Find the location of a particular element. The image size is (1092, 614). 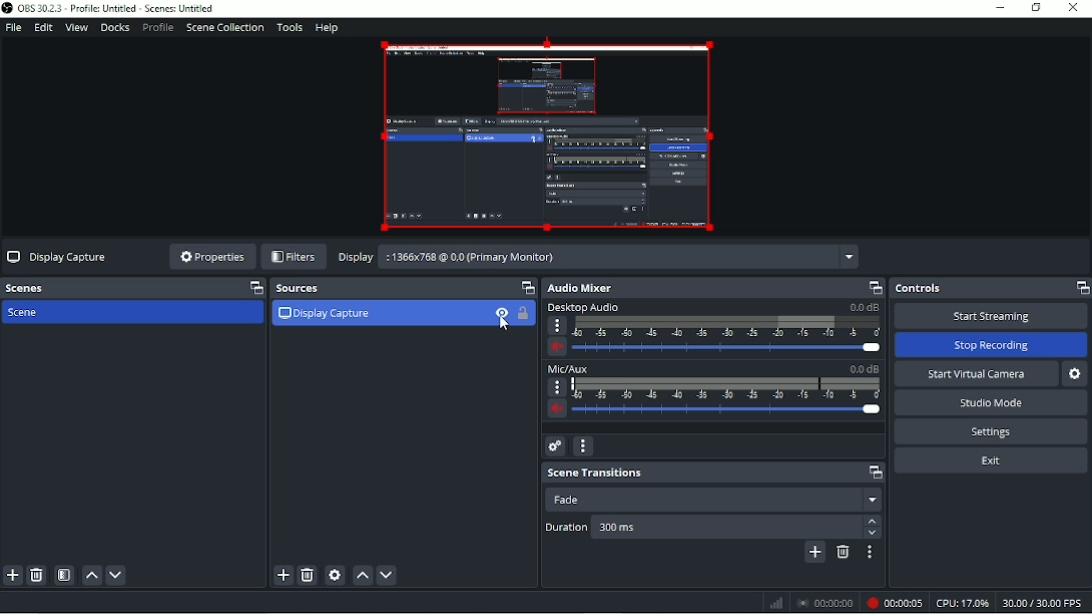

Scene transitions is located at coordinates (714, 473).